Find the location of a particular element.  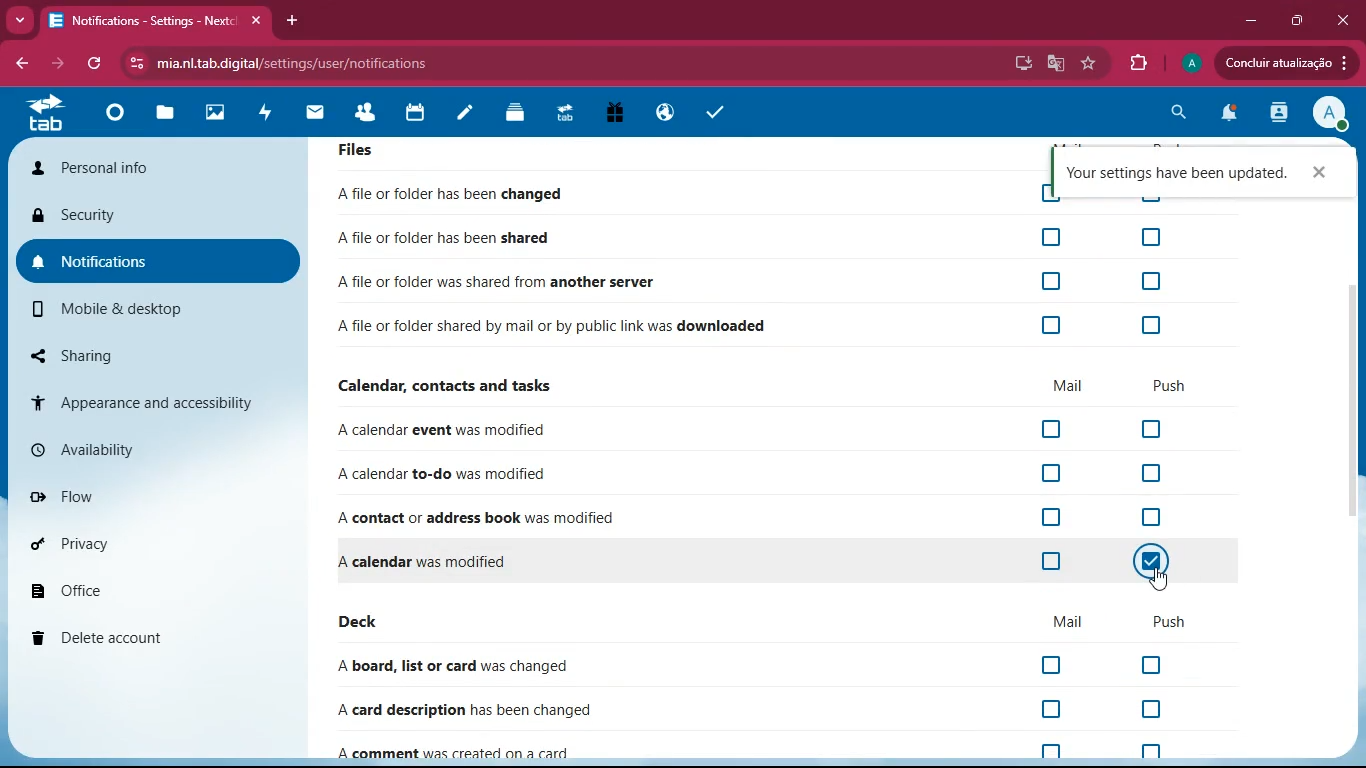

office is located at coordinates (131, 590).